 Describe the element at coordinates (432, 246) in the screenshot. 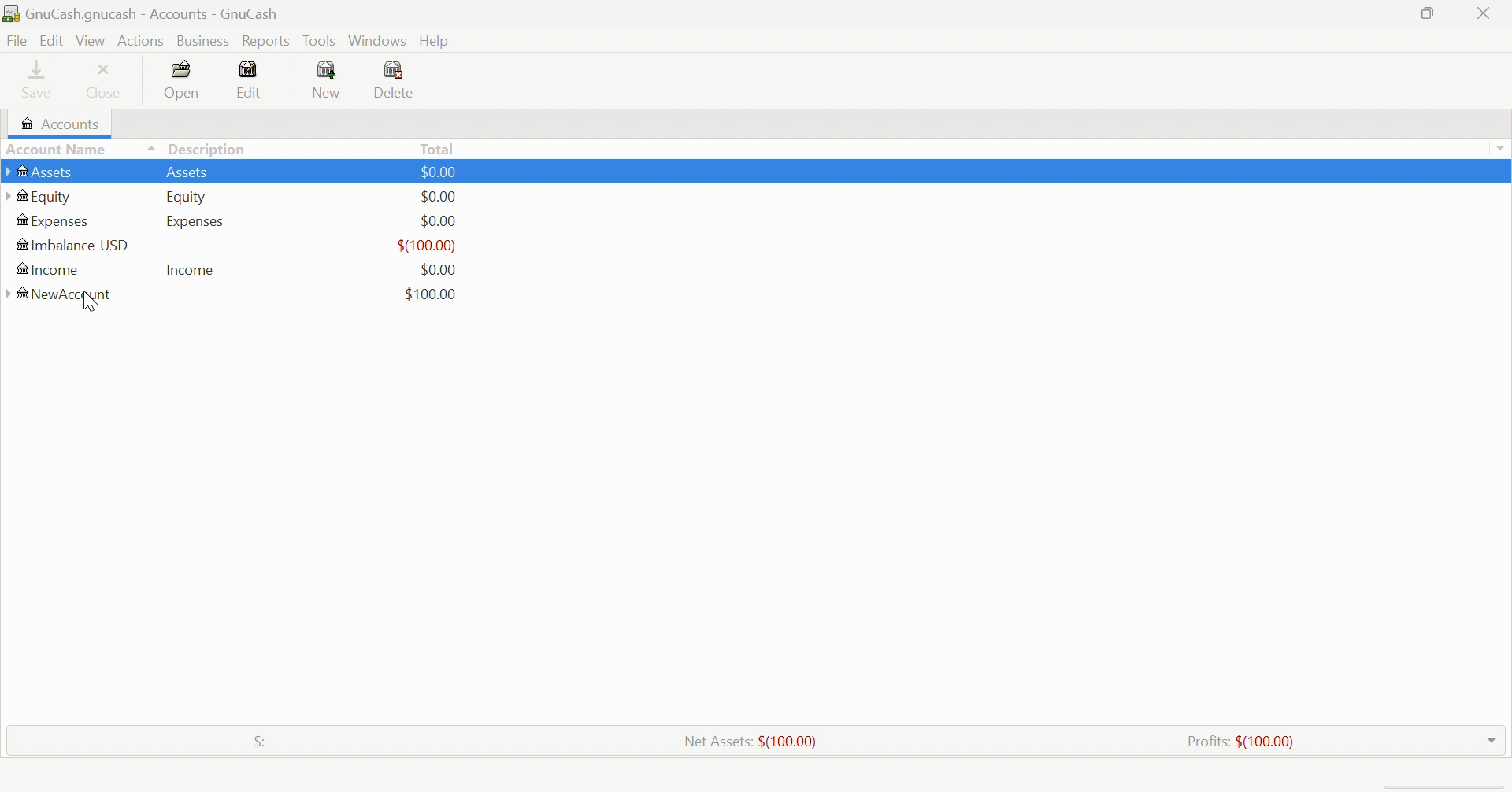

I see `$(0.00)` at that location.